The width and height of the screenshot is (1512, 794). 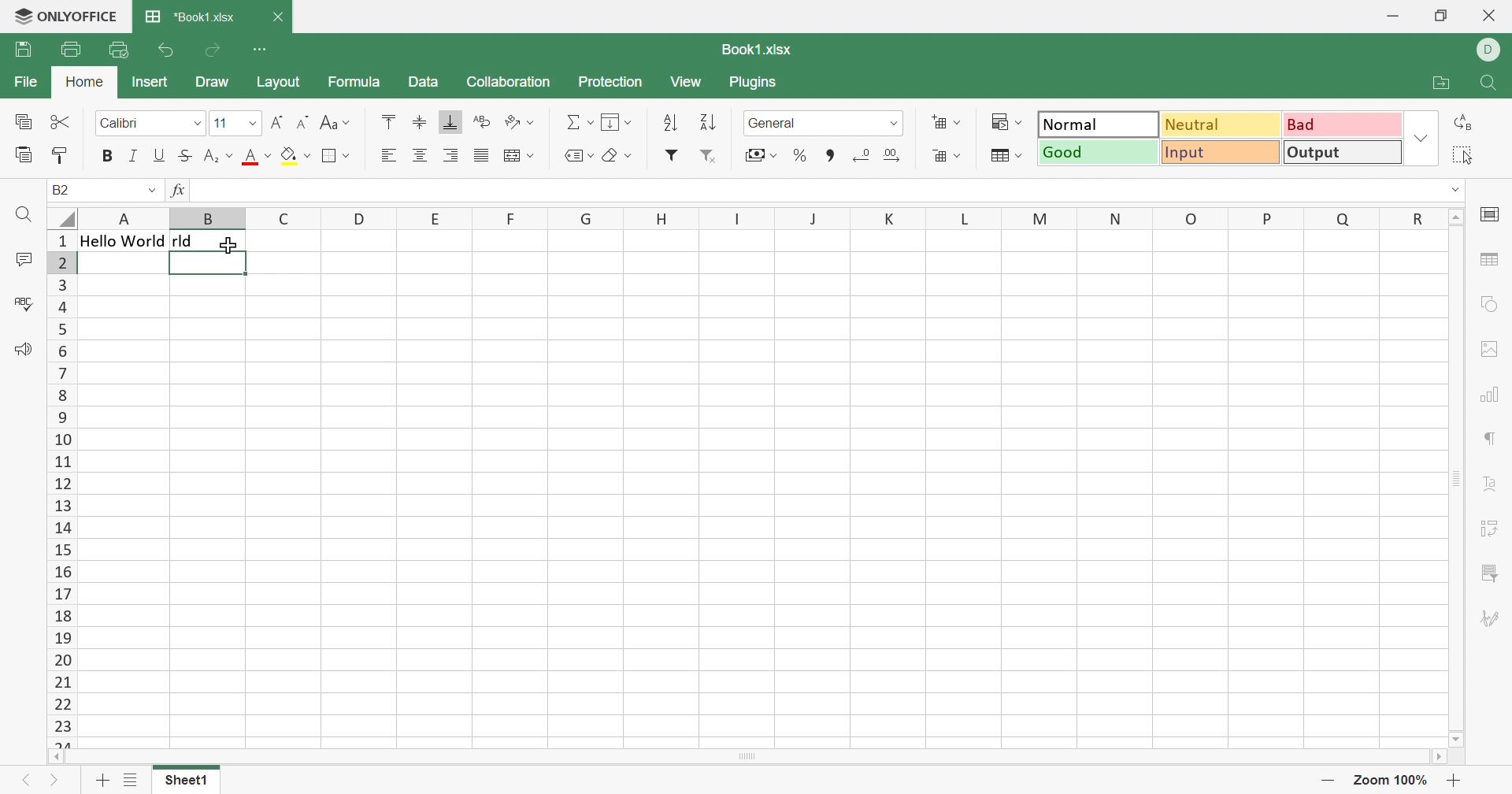 I want to click on Accounting style, so click(x=760, y=154).